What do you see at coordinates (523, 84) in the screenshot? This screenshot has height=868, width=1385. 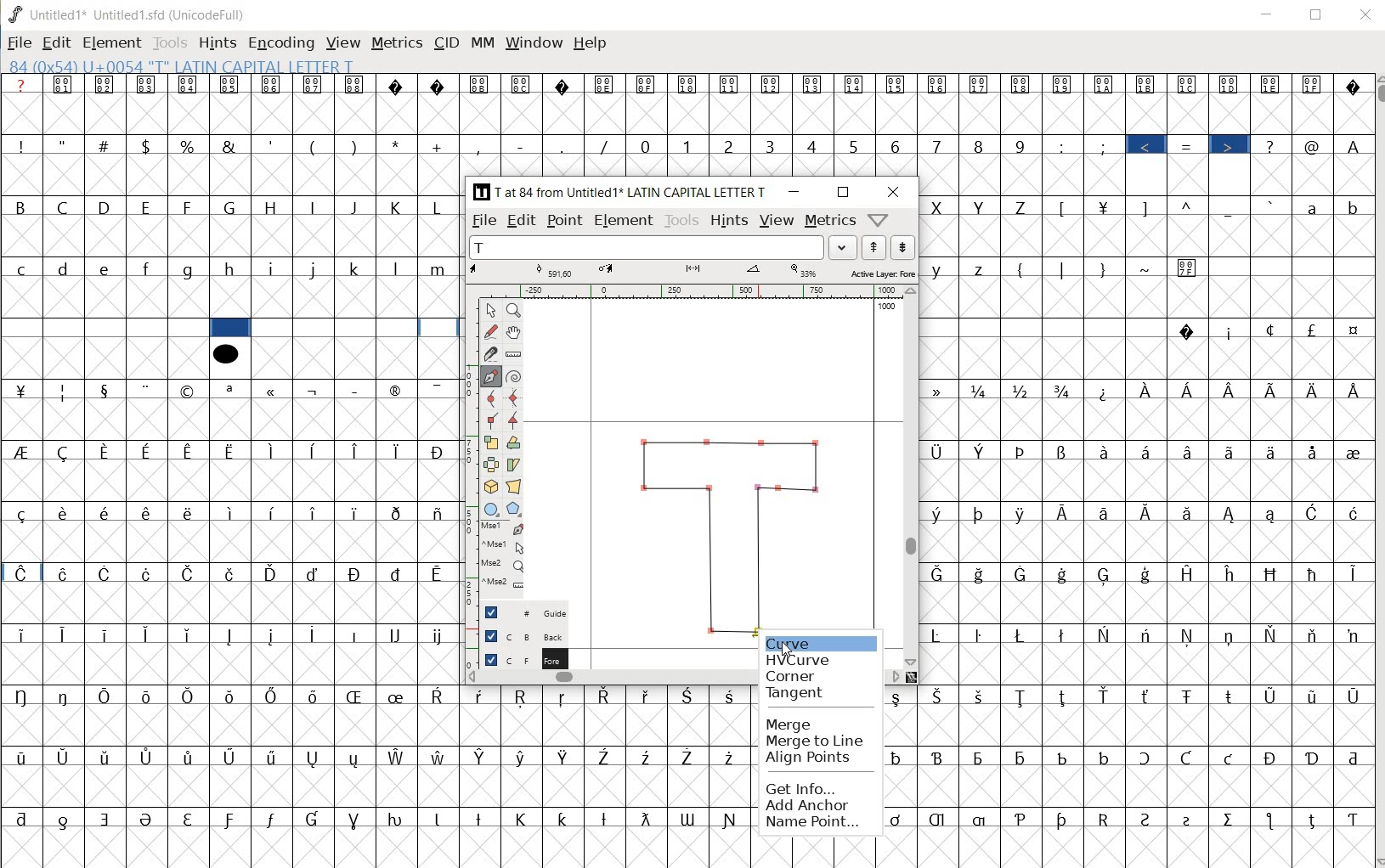 I see `Symbol` at bounding box center [523, 84].